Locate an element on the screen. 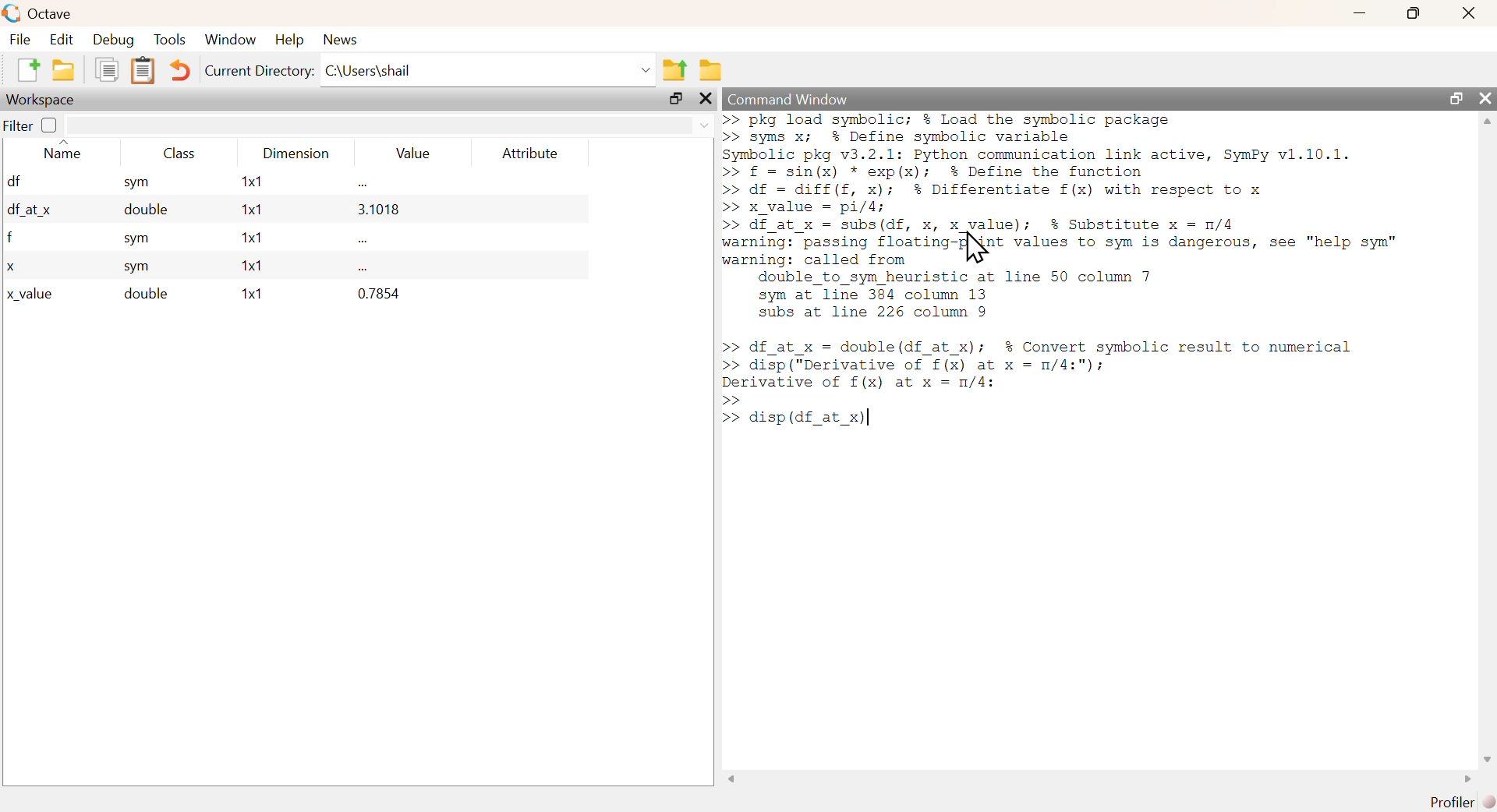 The width and height of the screenshot is (1497, 812). Close is located at coordinates (1468, 13).